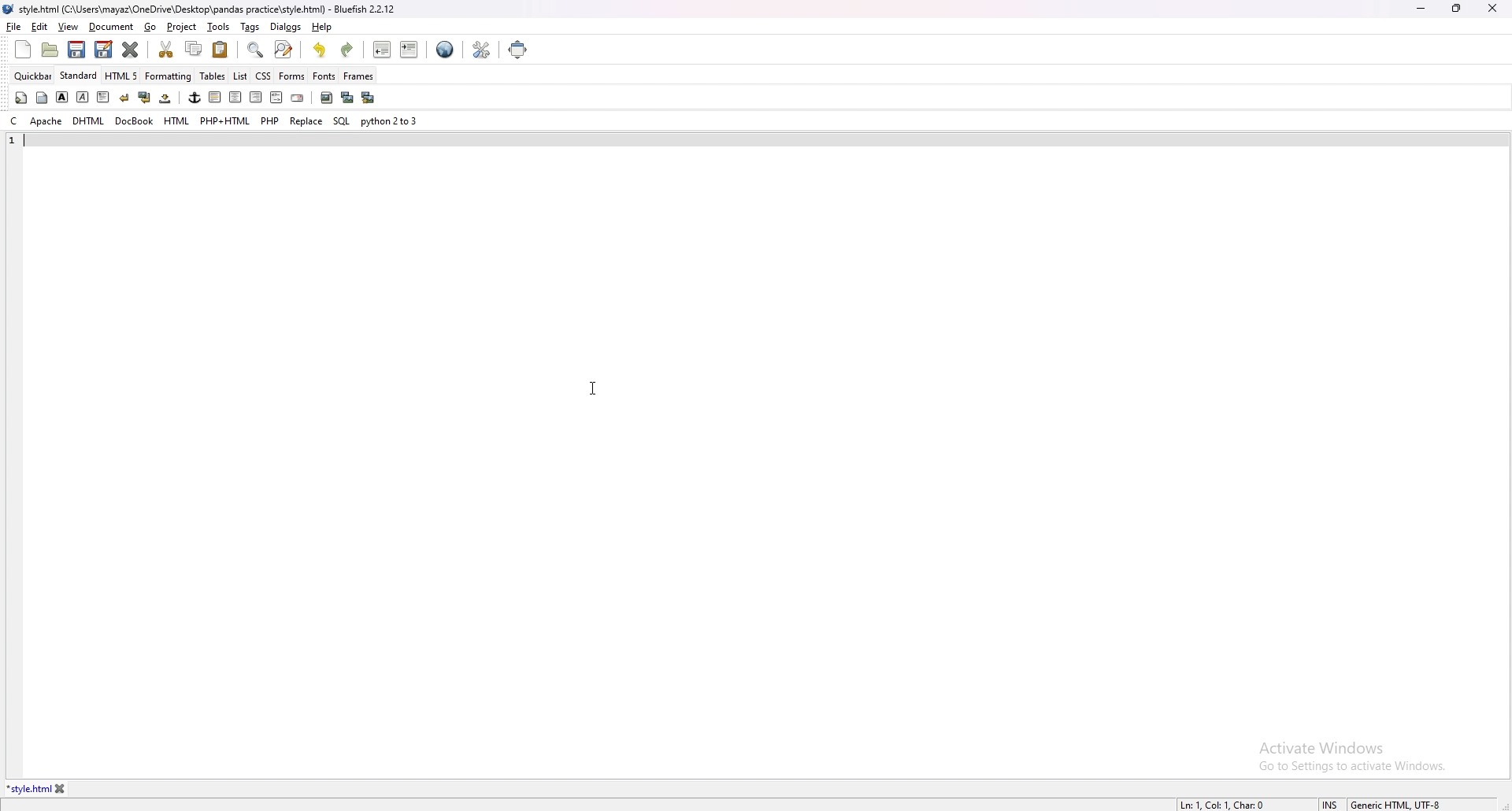 The image size is (1512, 811). I want to click on replace, so click(306, 120).